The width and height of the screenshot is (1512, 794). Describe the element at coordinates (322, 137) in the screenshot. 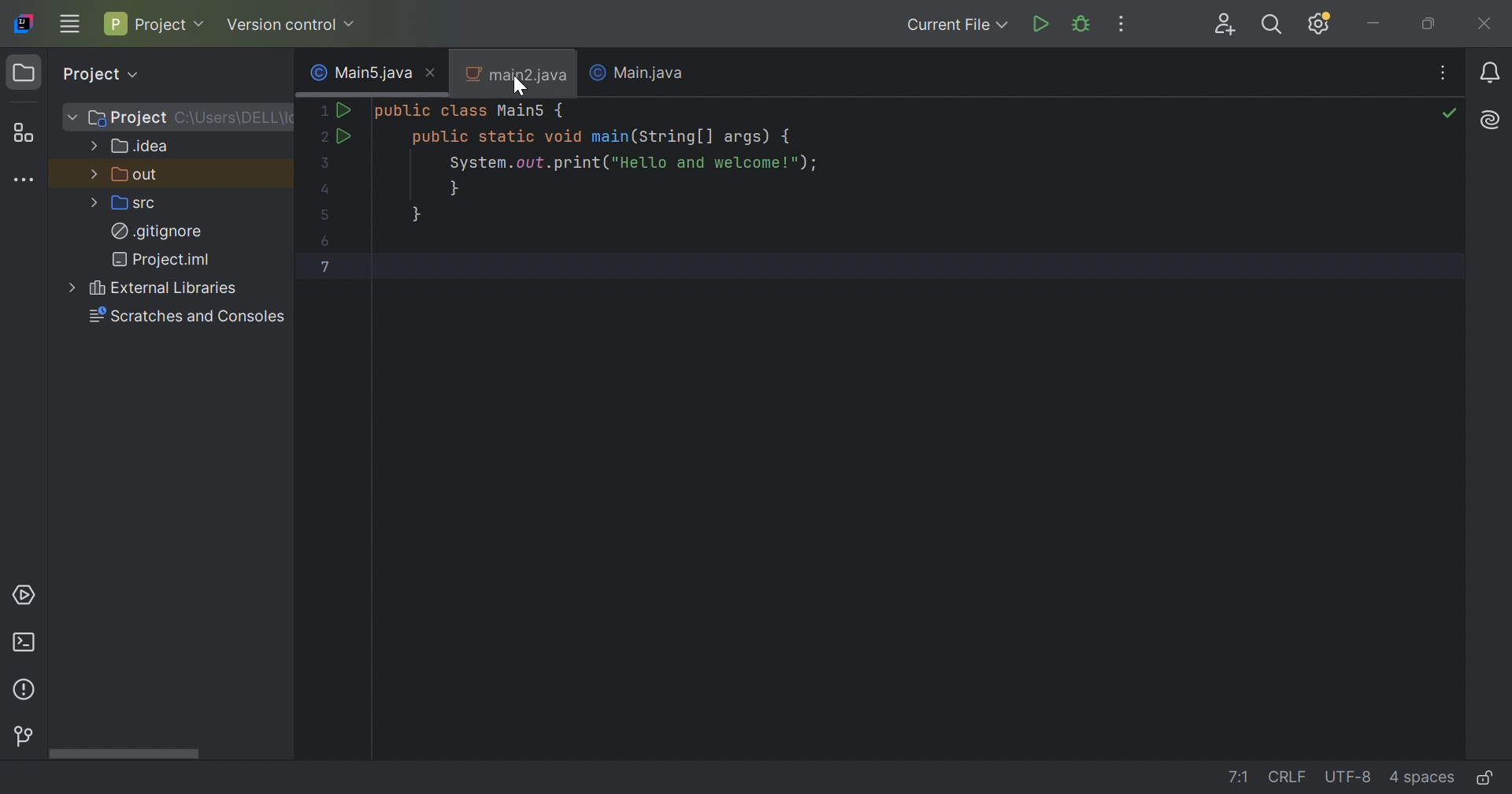

I see `2` at that location.